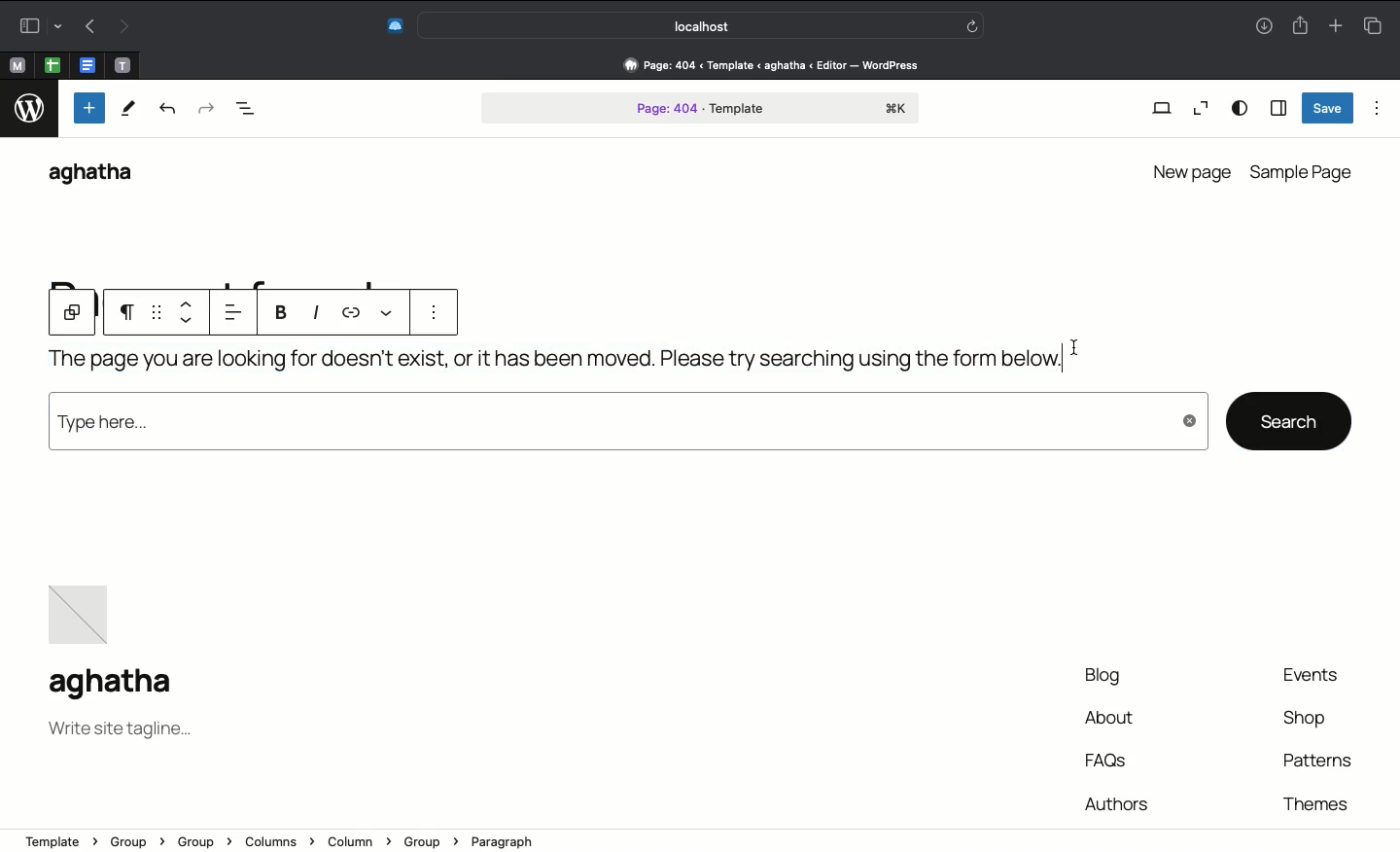 The image size is (1400, 852). I want to click on address, so click(667, 836).